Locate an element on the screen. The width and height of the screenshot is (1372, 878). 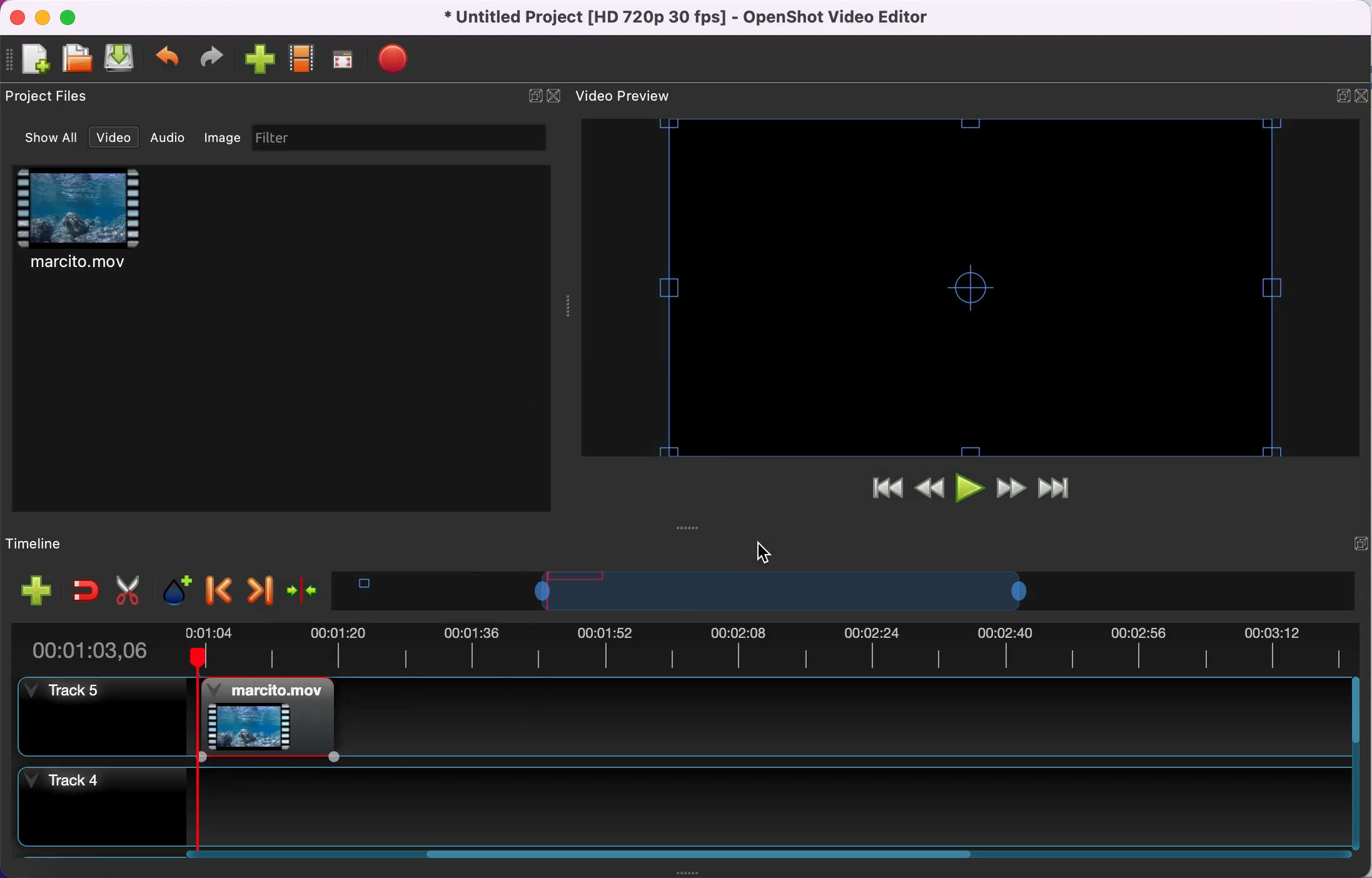
jump to end is located at coordinates (1060, 489).